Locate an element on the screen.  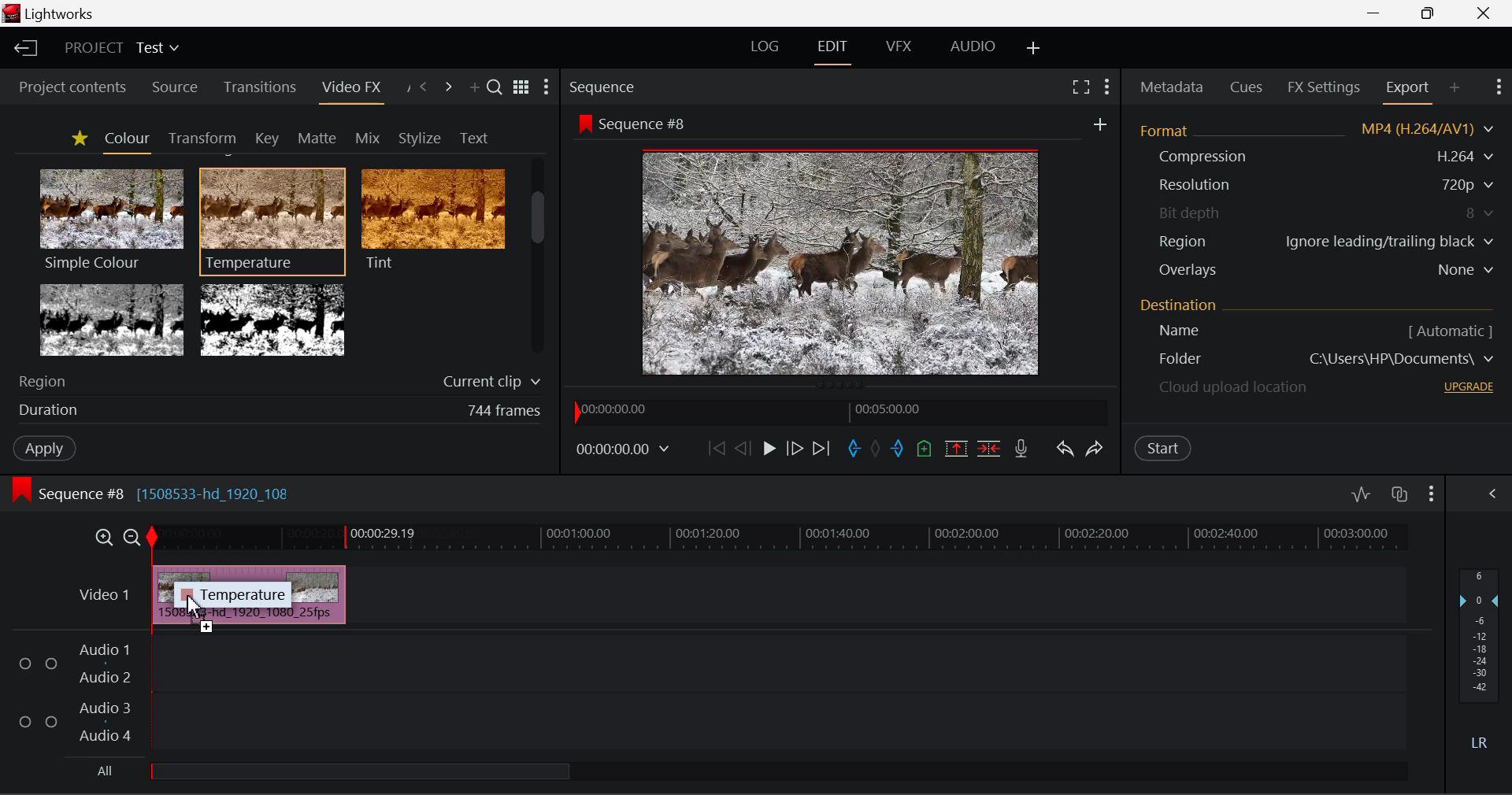
icon is located at coordinates (22, 490).